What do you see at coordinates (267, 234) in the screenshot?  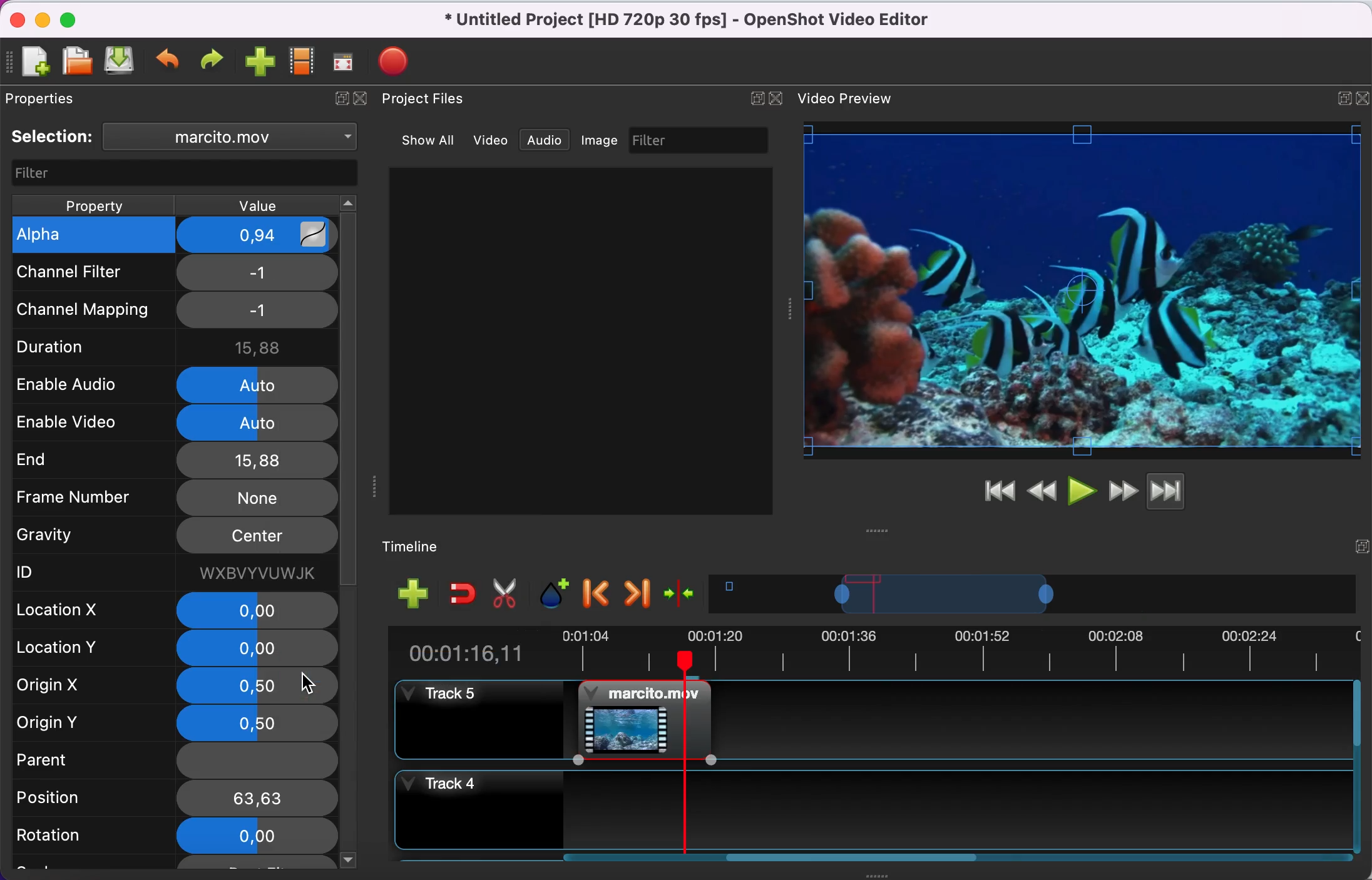 I see `09 PH` at bounding box center [267, 234].